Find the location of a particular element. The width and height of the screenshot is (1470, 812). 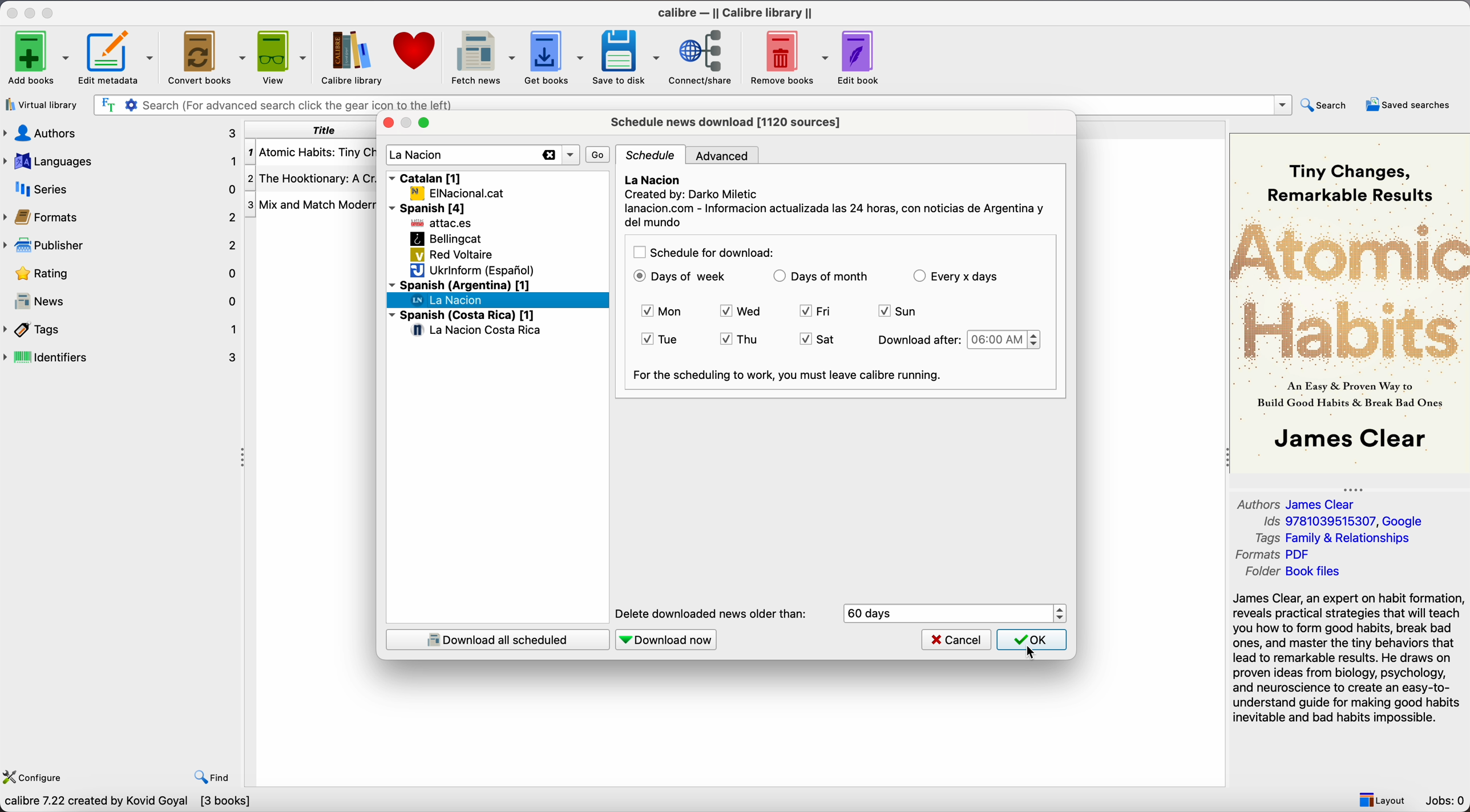

news is located at coordinates (122, 298).